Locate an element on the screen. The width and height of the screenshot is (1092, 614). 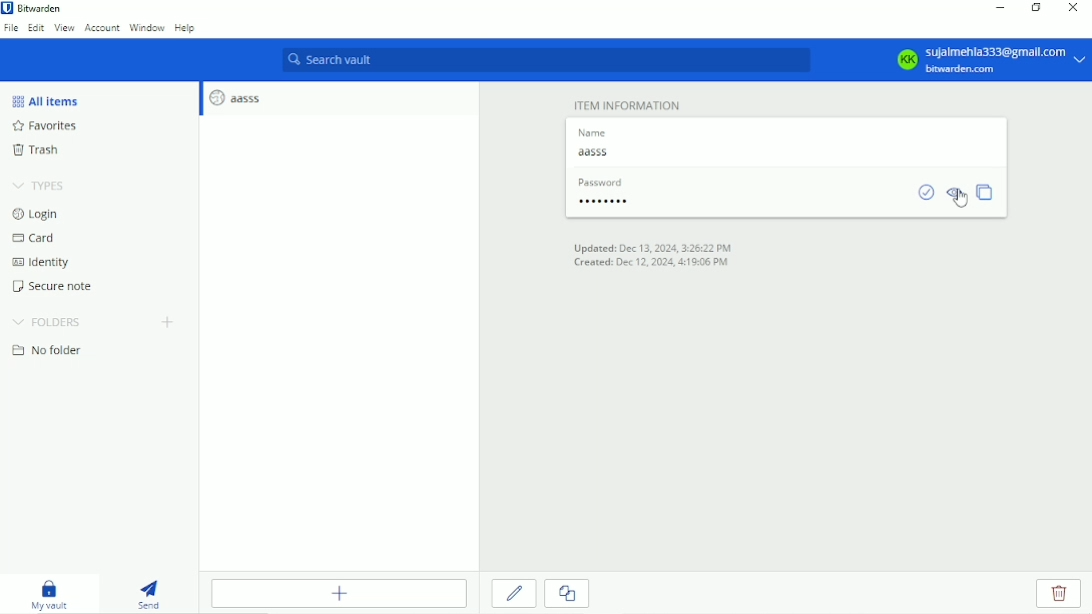
Delete is located at coordinates (1061, 593).